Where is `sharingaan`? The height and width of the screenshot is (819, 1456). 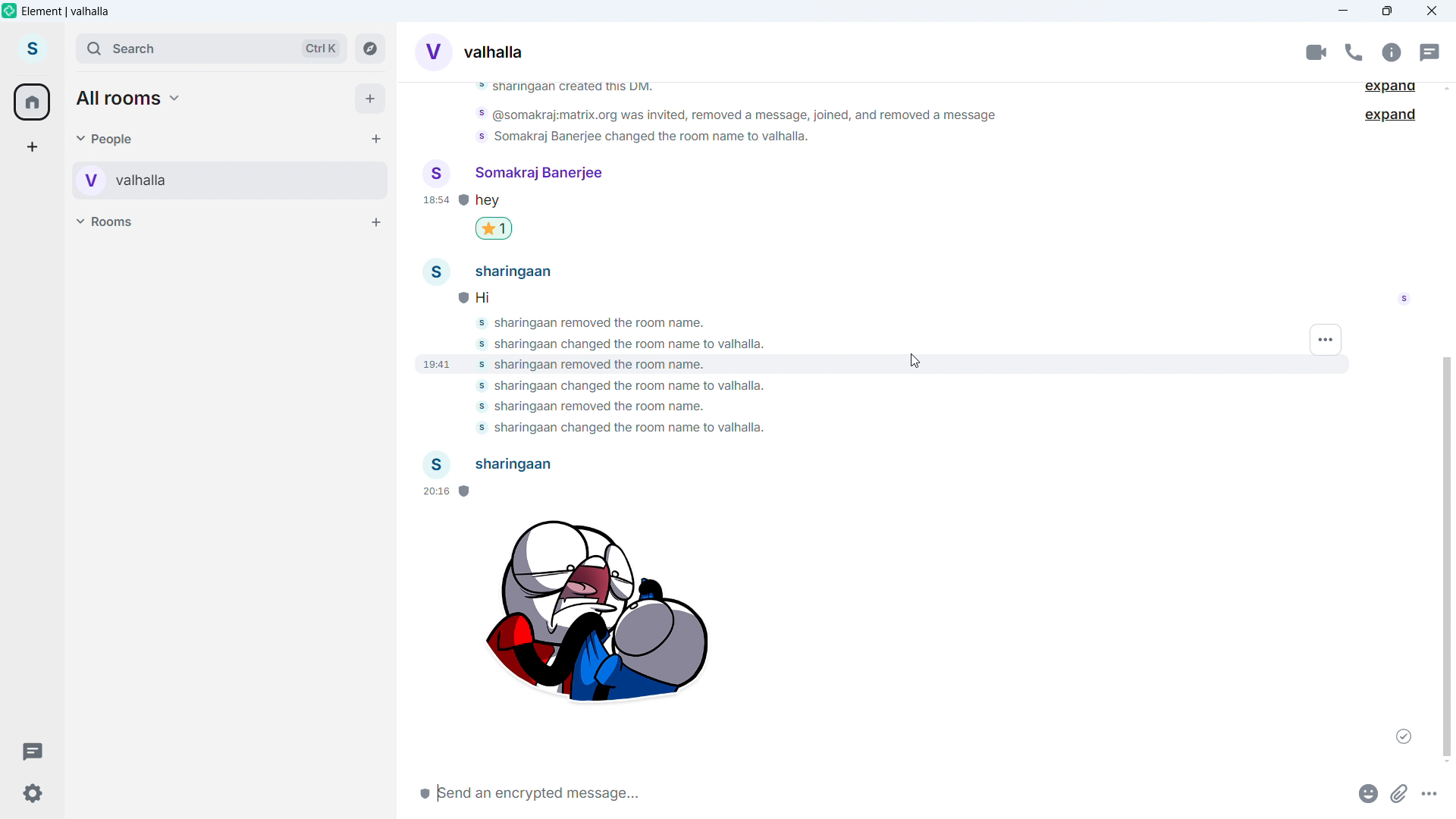
sharingaan is located at coordinates (497, 271).